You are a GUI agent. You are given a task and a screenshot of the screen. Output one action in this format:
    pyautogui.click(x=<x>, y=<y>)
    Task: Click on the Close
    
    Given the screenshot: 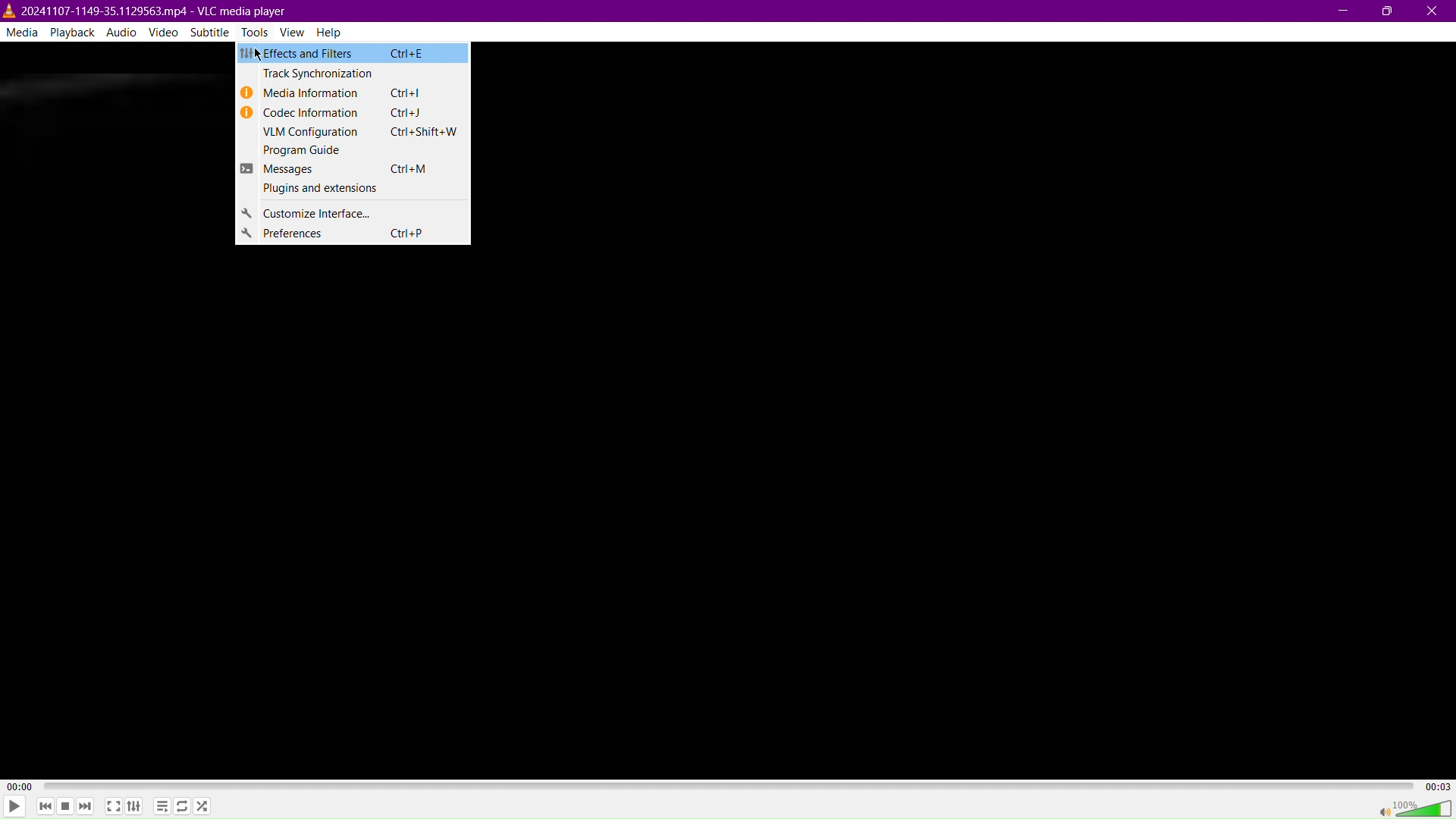 What is the action you would take?
    pyautogui.click(x=1434, y=11)
    